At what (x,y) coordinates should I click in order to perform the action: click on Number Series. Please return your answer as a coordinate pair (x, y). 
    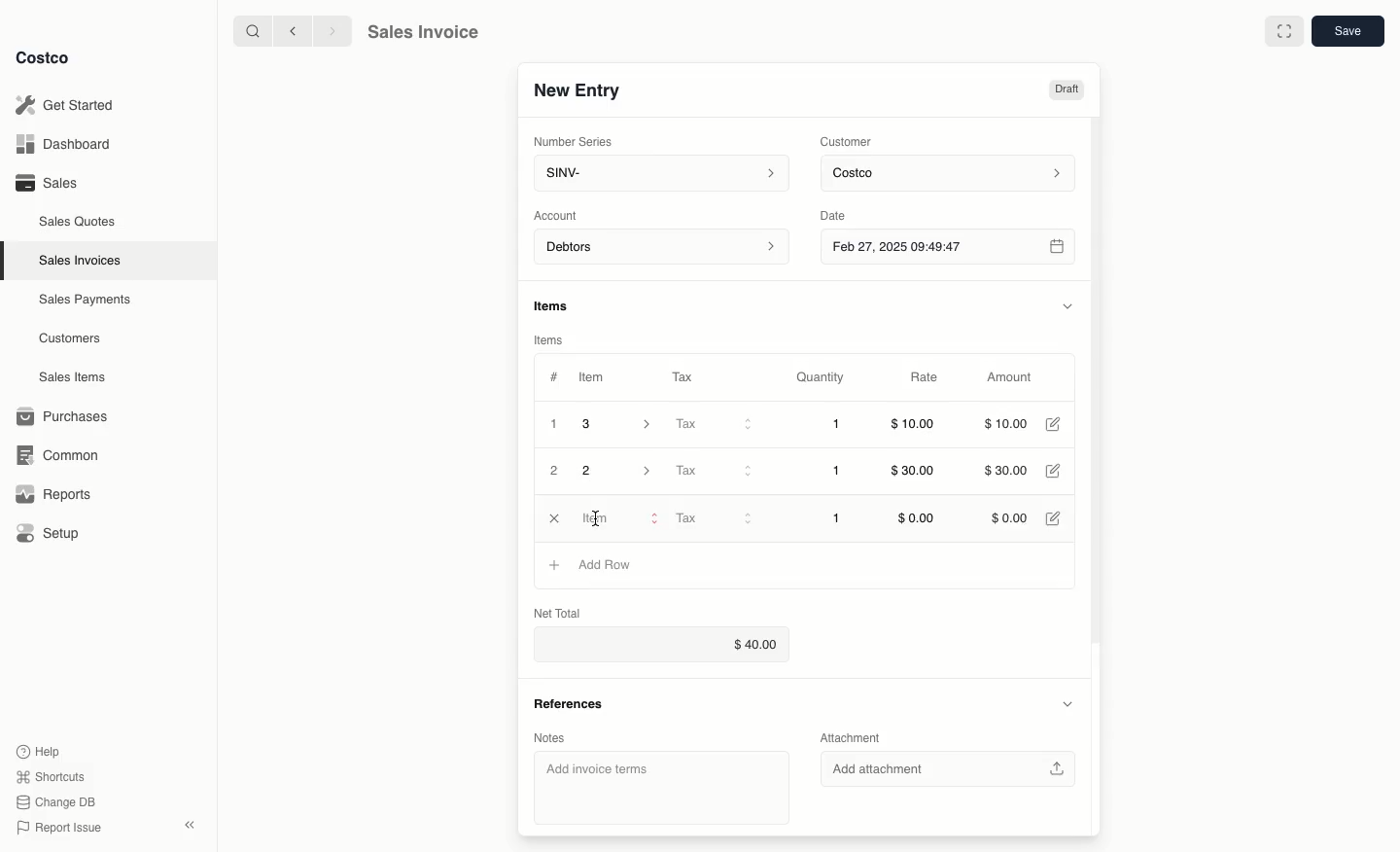
    Looking at the image, I should click on (575, 140).